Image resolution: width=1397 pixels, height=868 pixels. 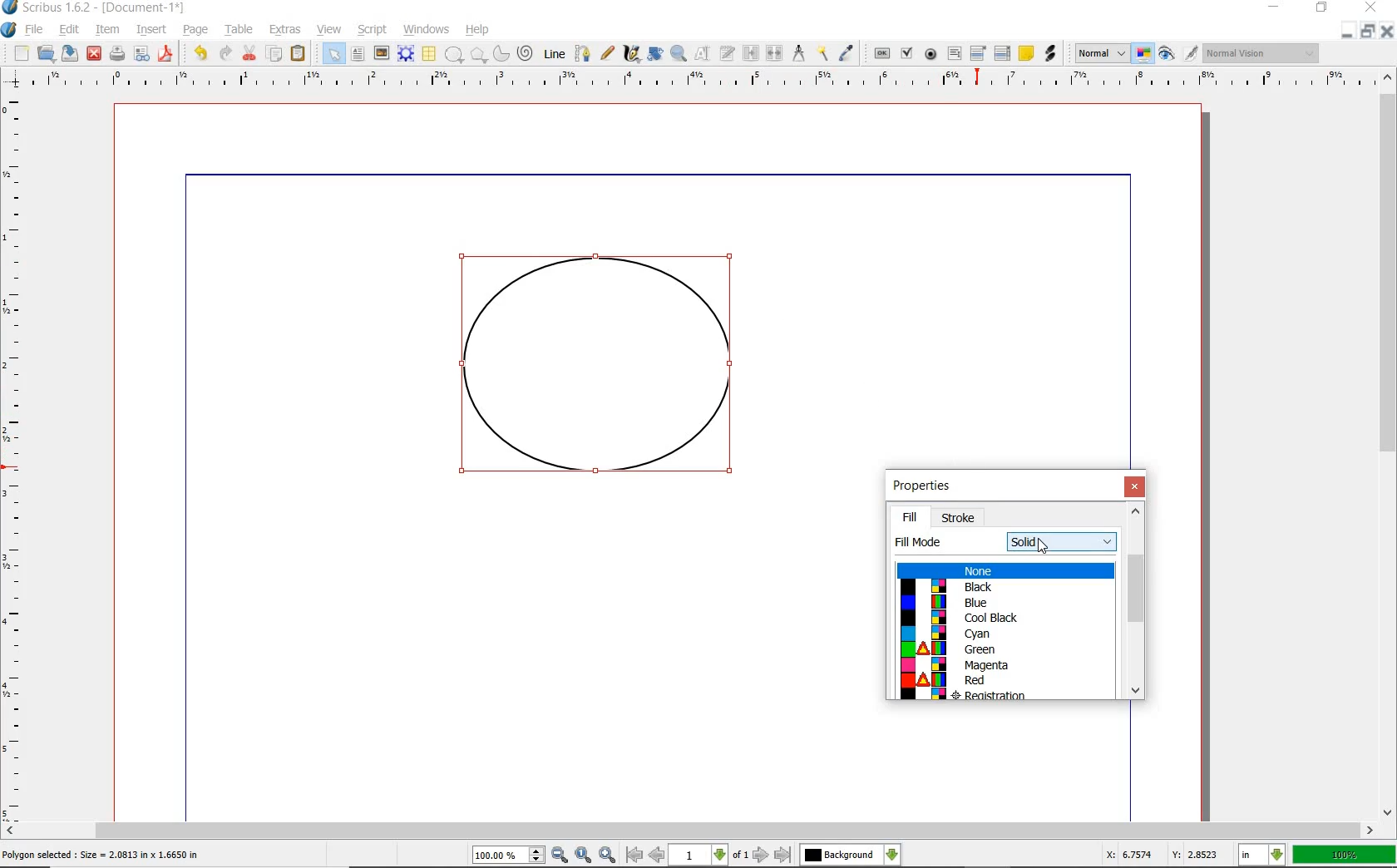 I want to click on stroke, so click(x=960, y=518).